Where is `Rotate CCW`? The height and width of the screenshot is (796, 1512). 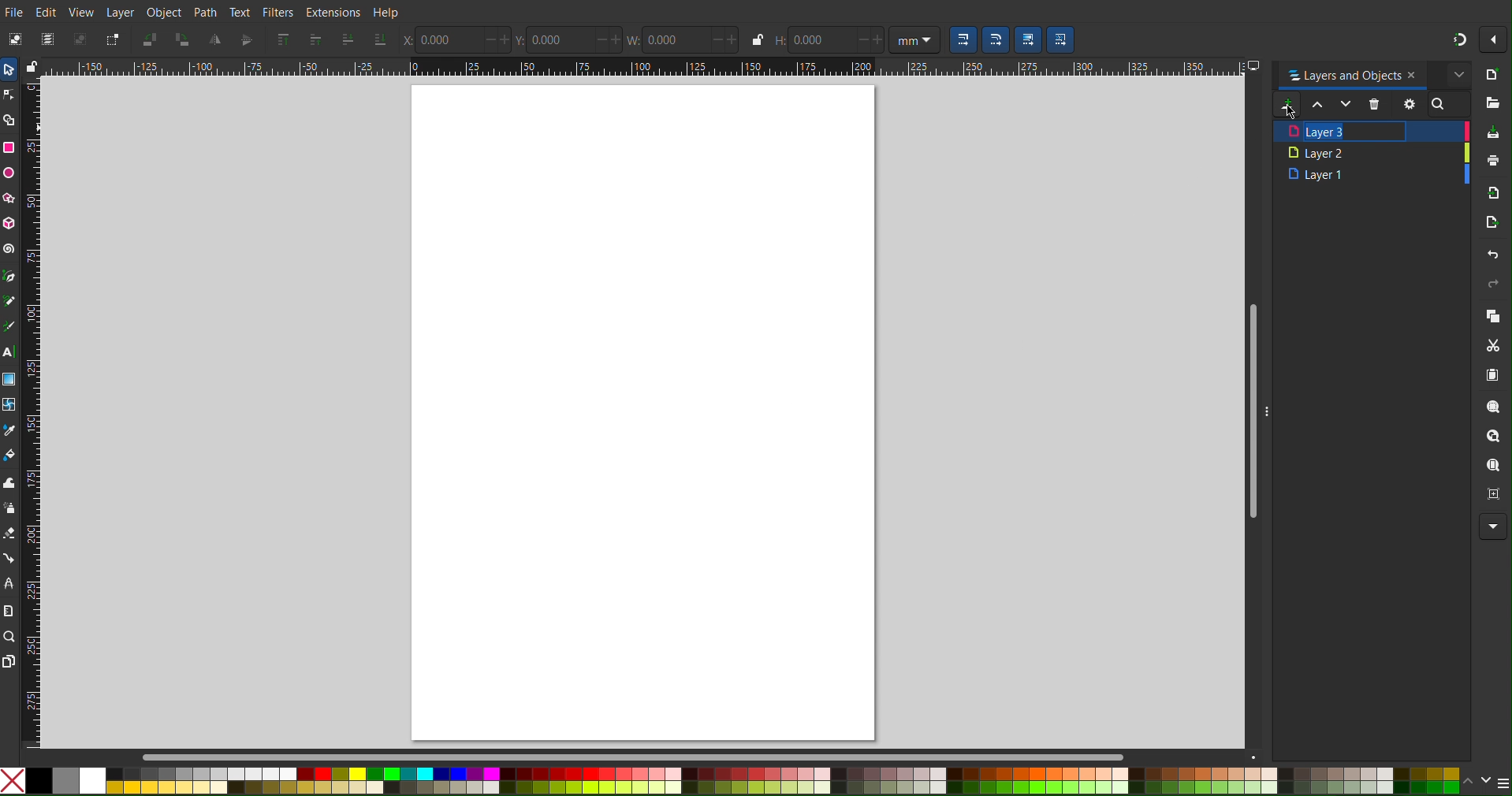 Rotate CCW is located at coordinates (151, 39).